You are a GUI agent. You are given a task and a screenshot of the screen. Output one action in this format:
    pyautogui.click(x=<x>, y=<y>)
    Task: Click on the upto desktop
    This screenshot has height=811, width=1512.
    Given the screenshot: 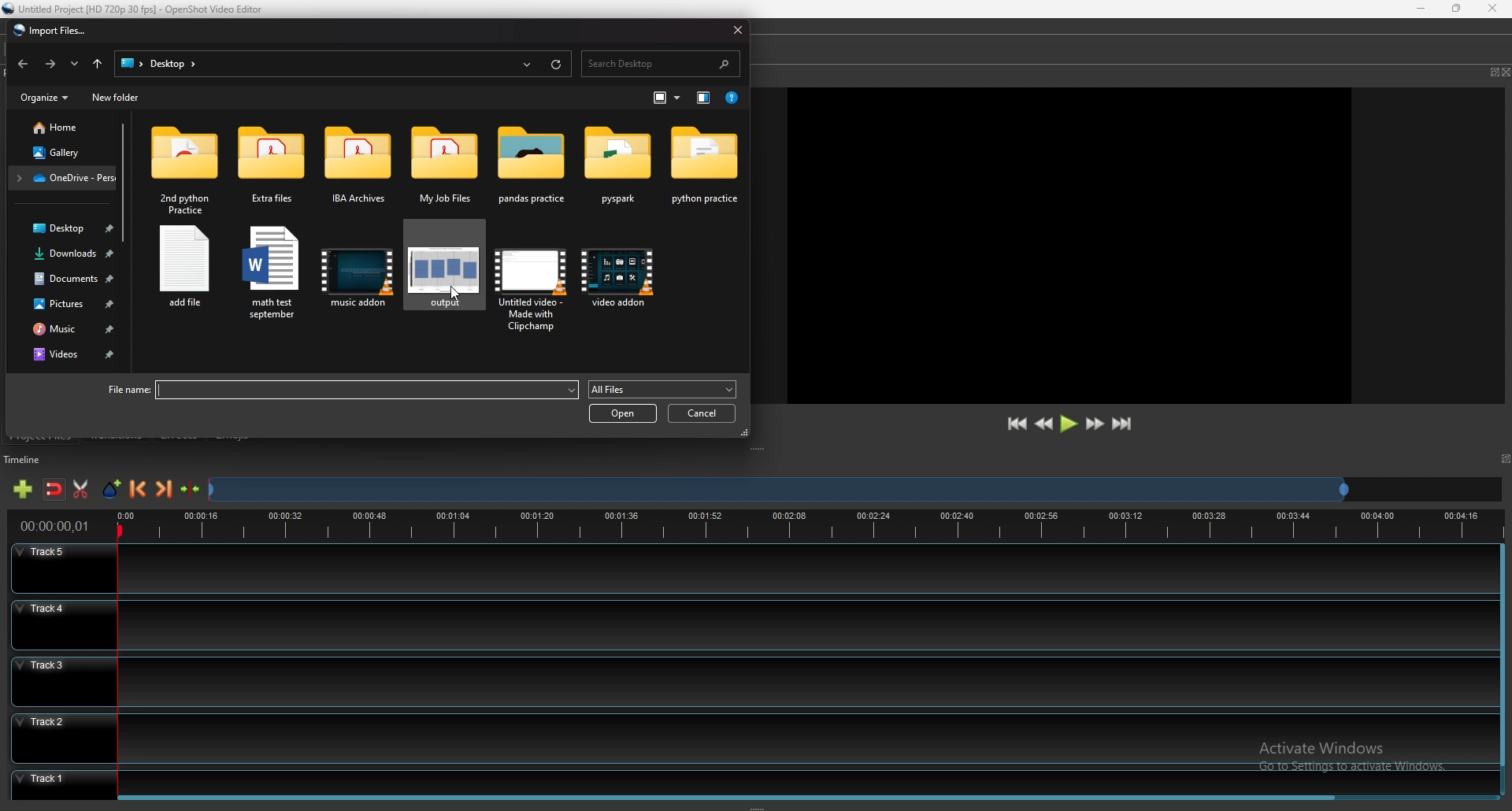 What is the action you would take?
    pyautogui.click(x=98, y=65)
    